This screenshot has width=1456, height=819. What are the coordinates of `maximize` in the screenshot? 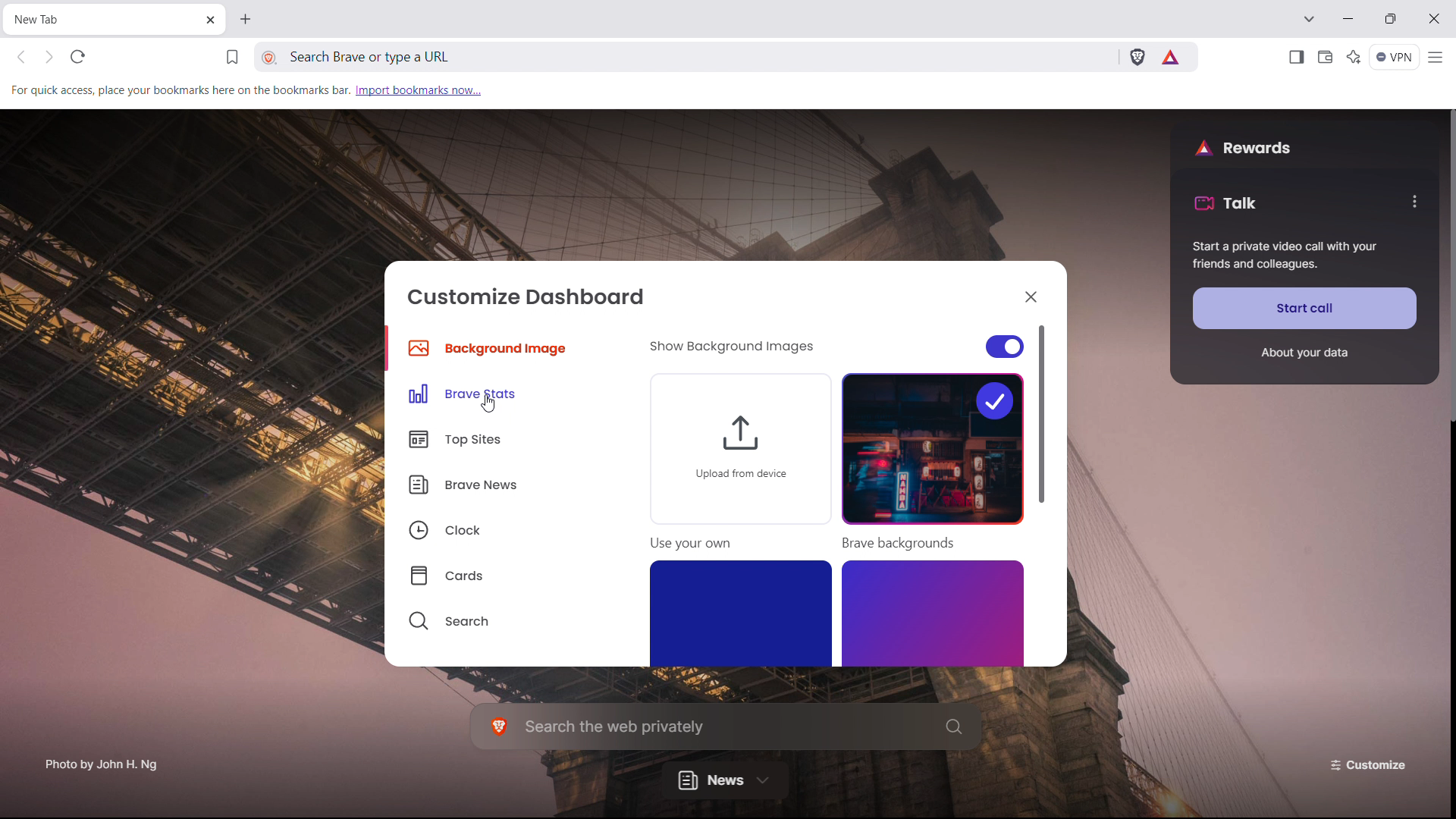 It's located at (1390, 18).